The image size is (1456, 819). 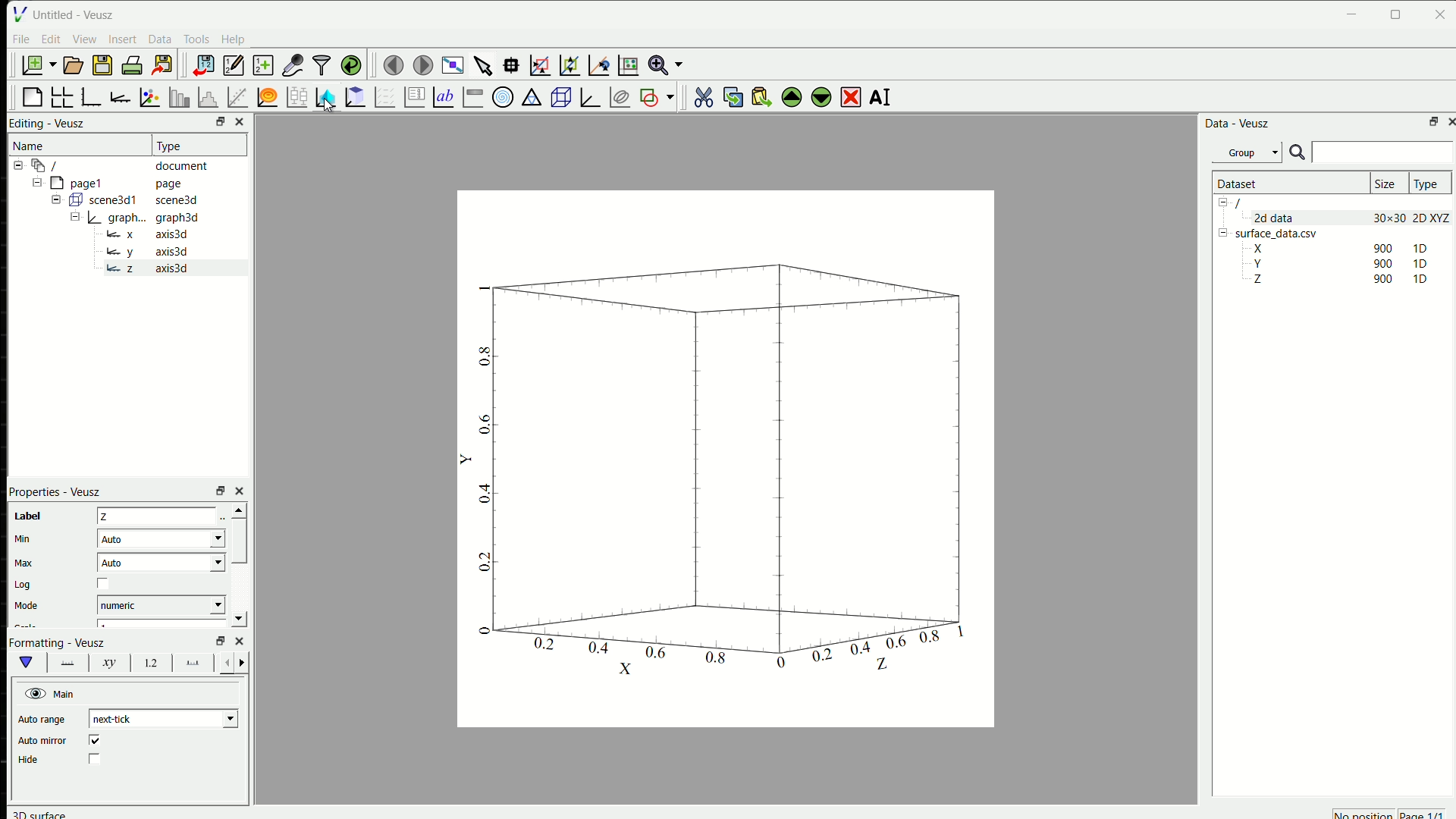 I want to click on plot a function , so click(x=268, y=96).